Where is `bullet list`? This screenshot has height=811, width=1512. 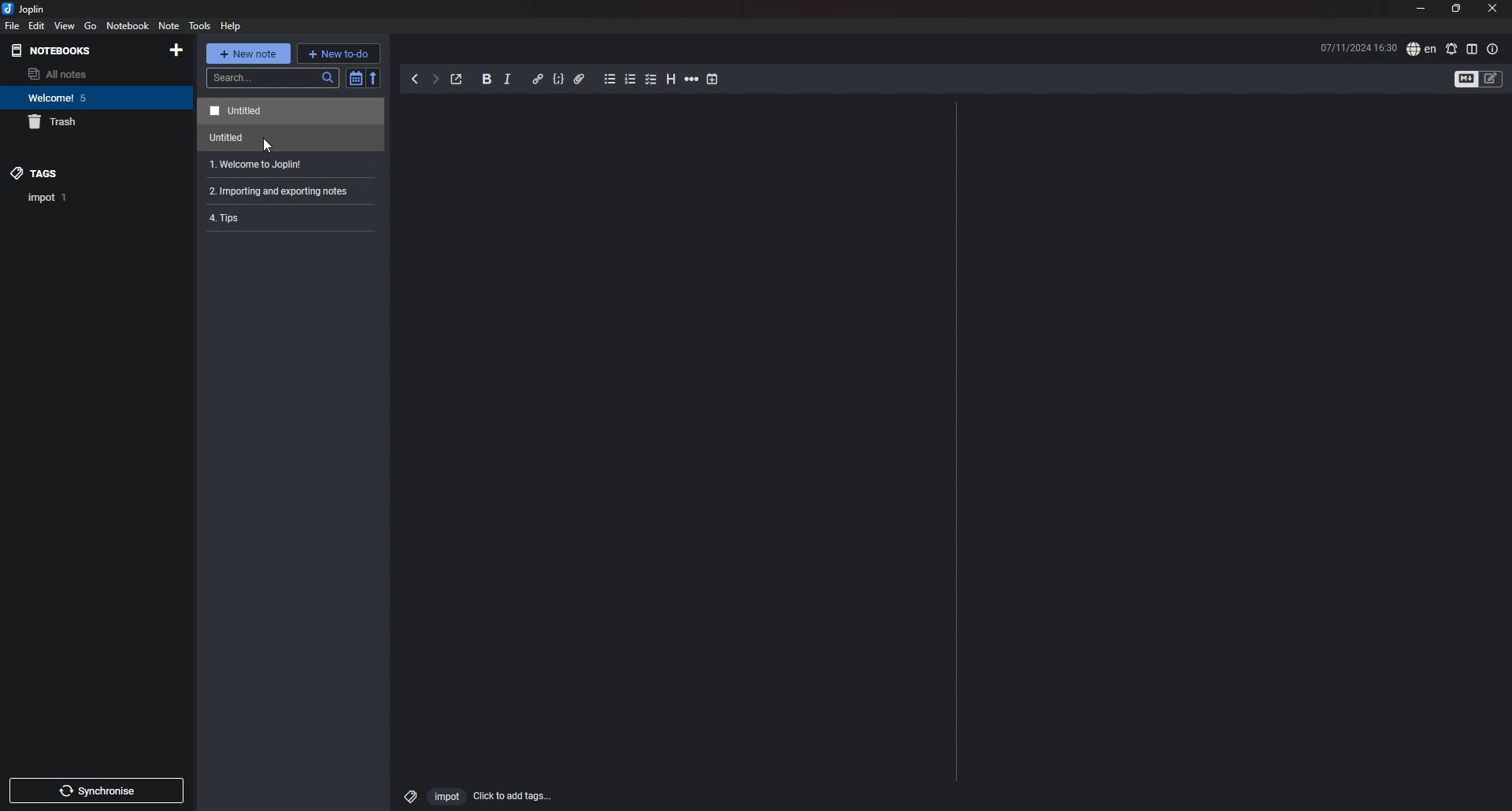
bullet list is located at coordinates (610, 80).